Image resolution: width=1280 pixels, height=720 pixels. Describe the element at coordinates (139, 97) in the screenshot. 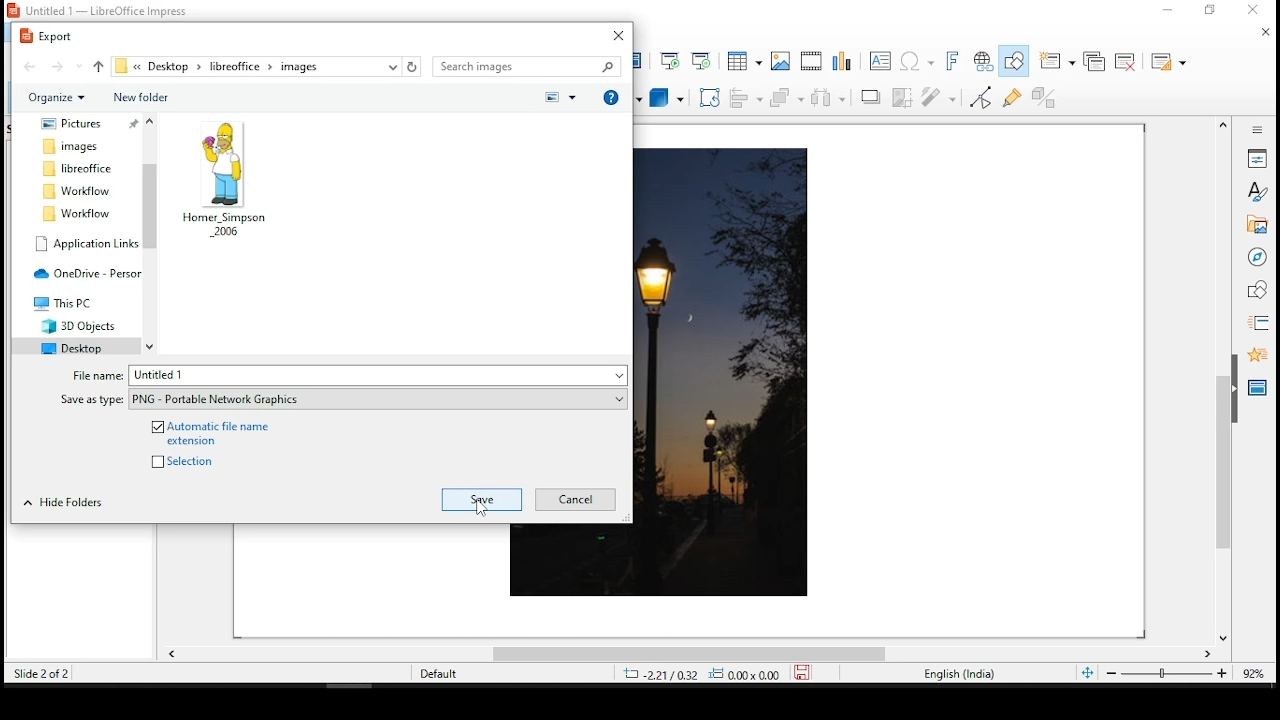

I see `new folder` at that location.